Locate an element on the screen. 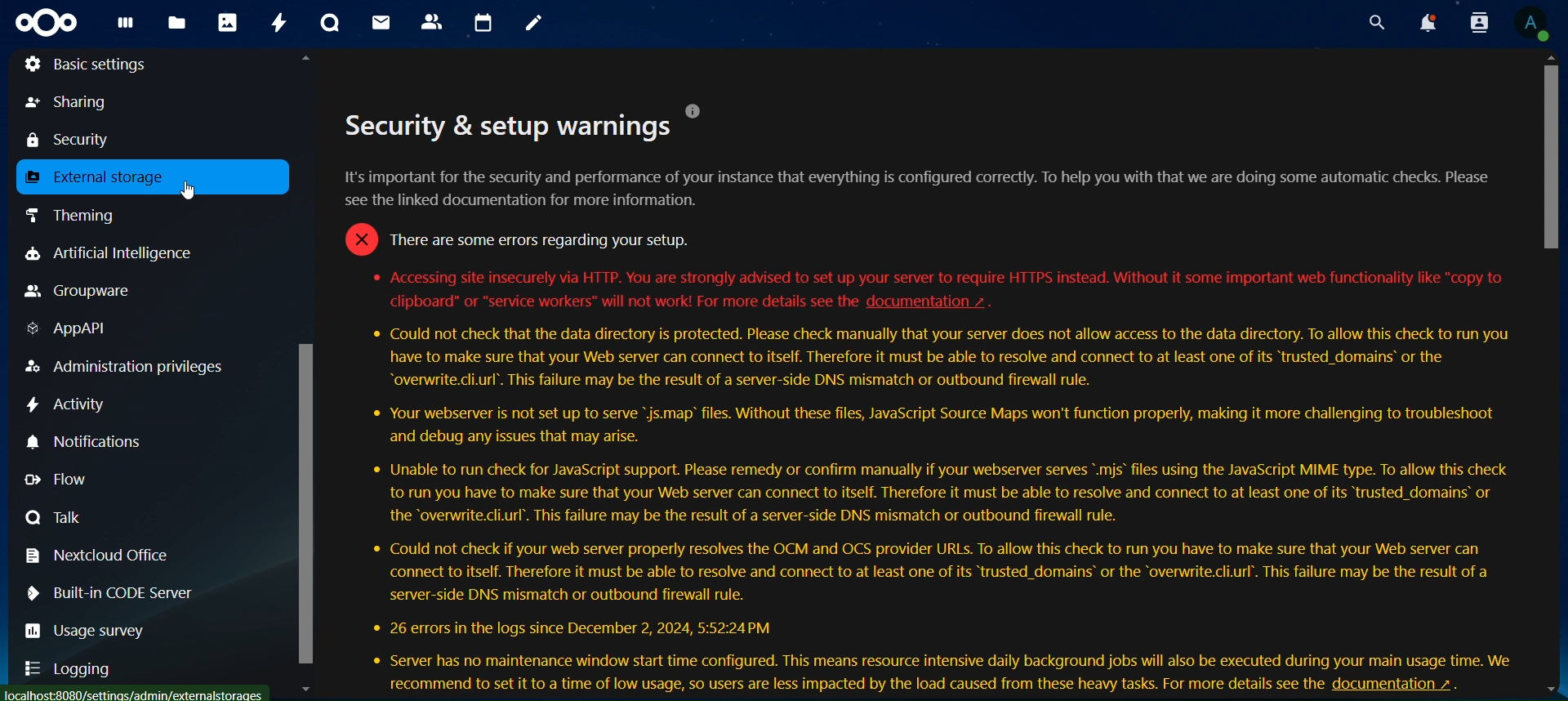 The height and width of the screenshot is (701, 1568). talk is located at coordinates (53, 516).